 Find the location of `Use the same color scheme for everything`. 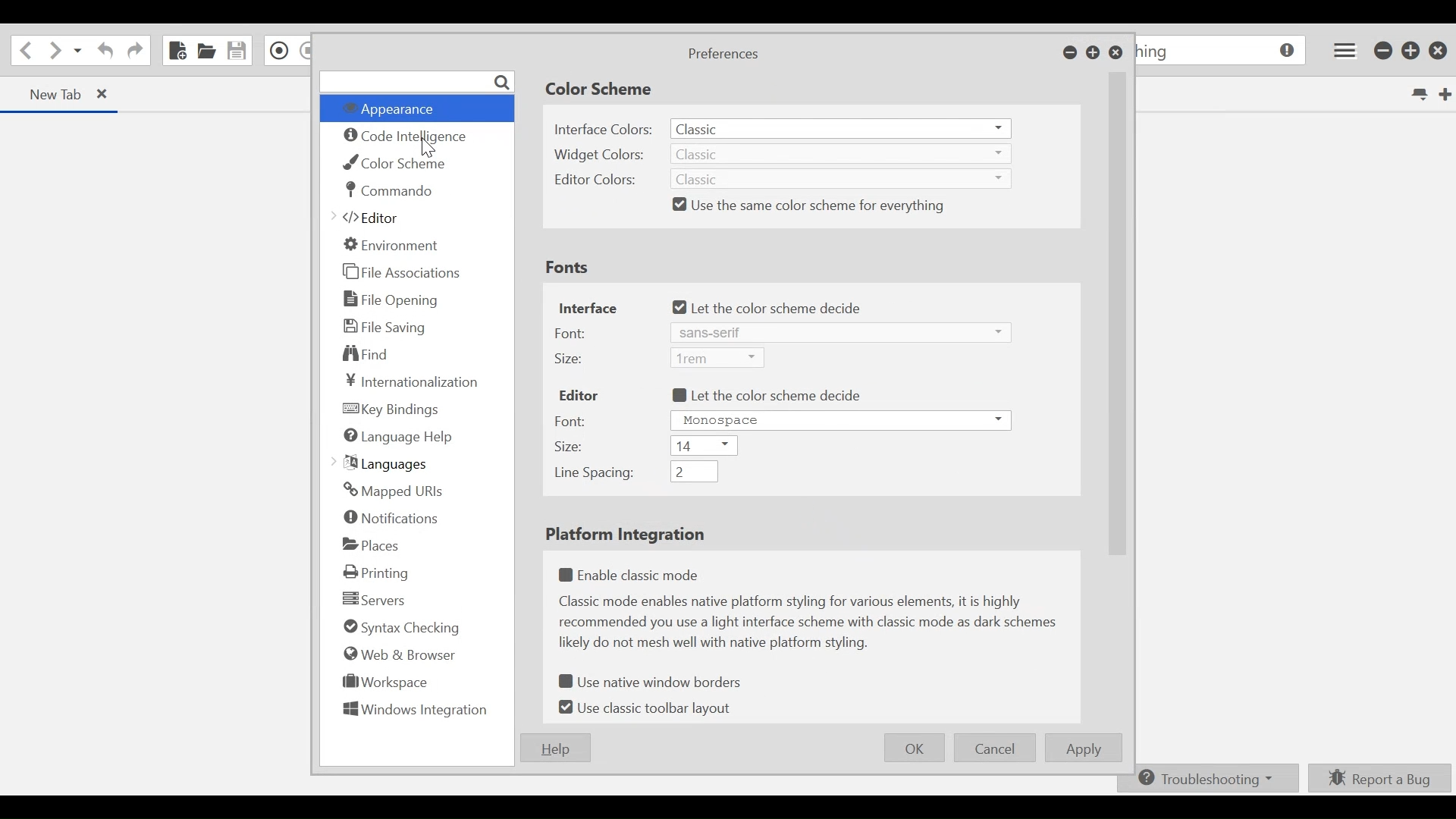

Use the same color scheme for everything is located at coordinates (811, 206).